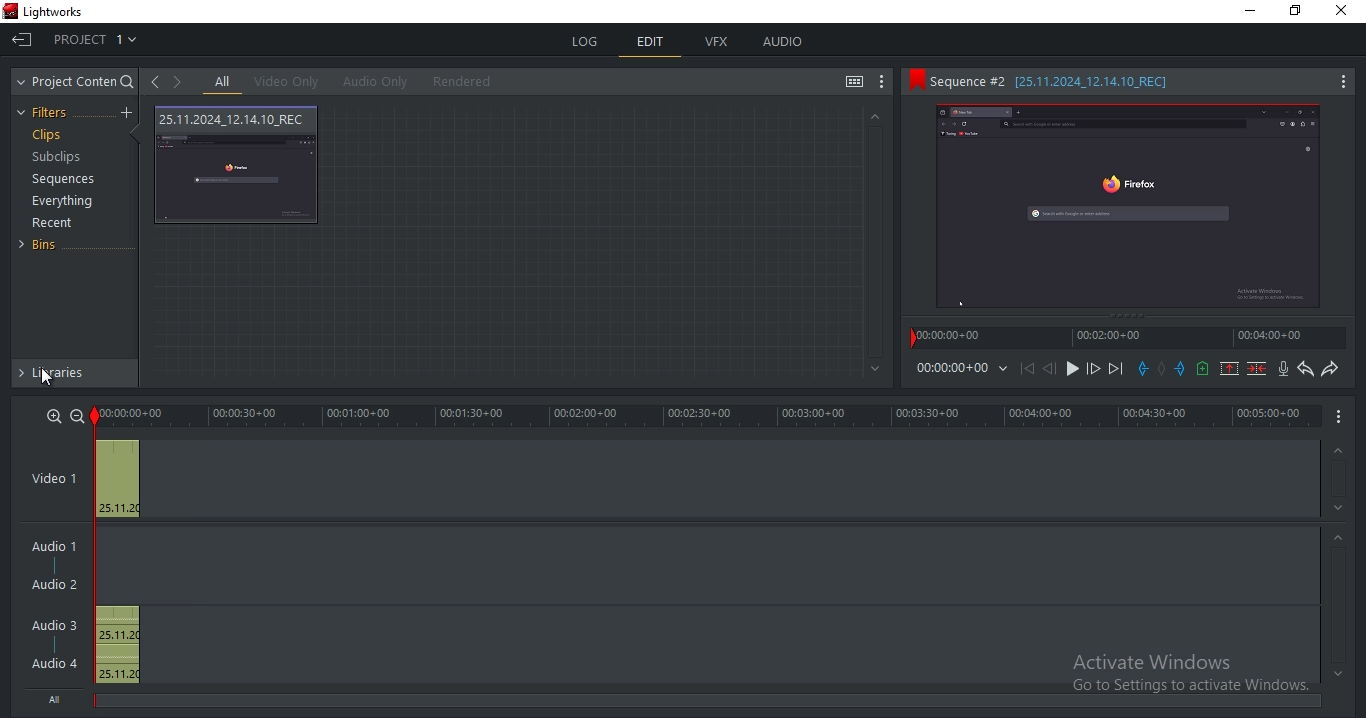 The image size is (1366, 718). What do you see at coordinates (75, 415) in the screenshot?
I see `zoom out` at bounding box center [75, 415].